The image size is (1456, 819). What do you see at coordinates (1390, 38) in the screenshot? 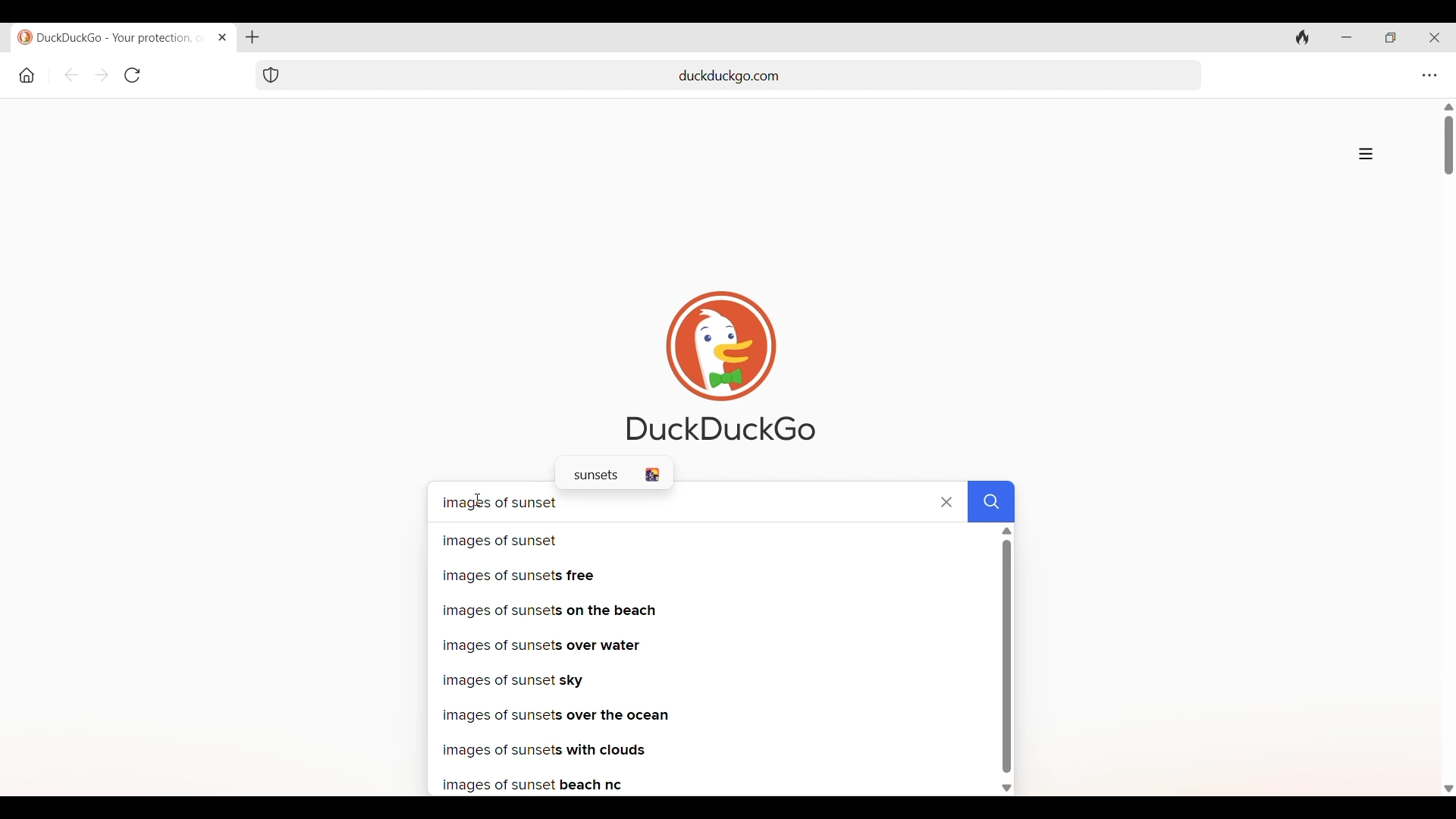
I see `Show interface in a smaller tab` at bounding box center [1390, 38].